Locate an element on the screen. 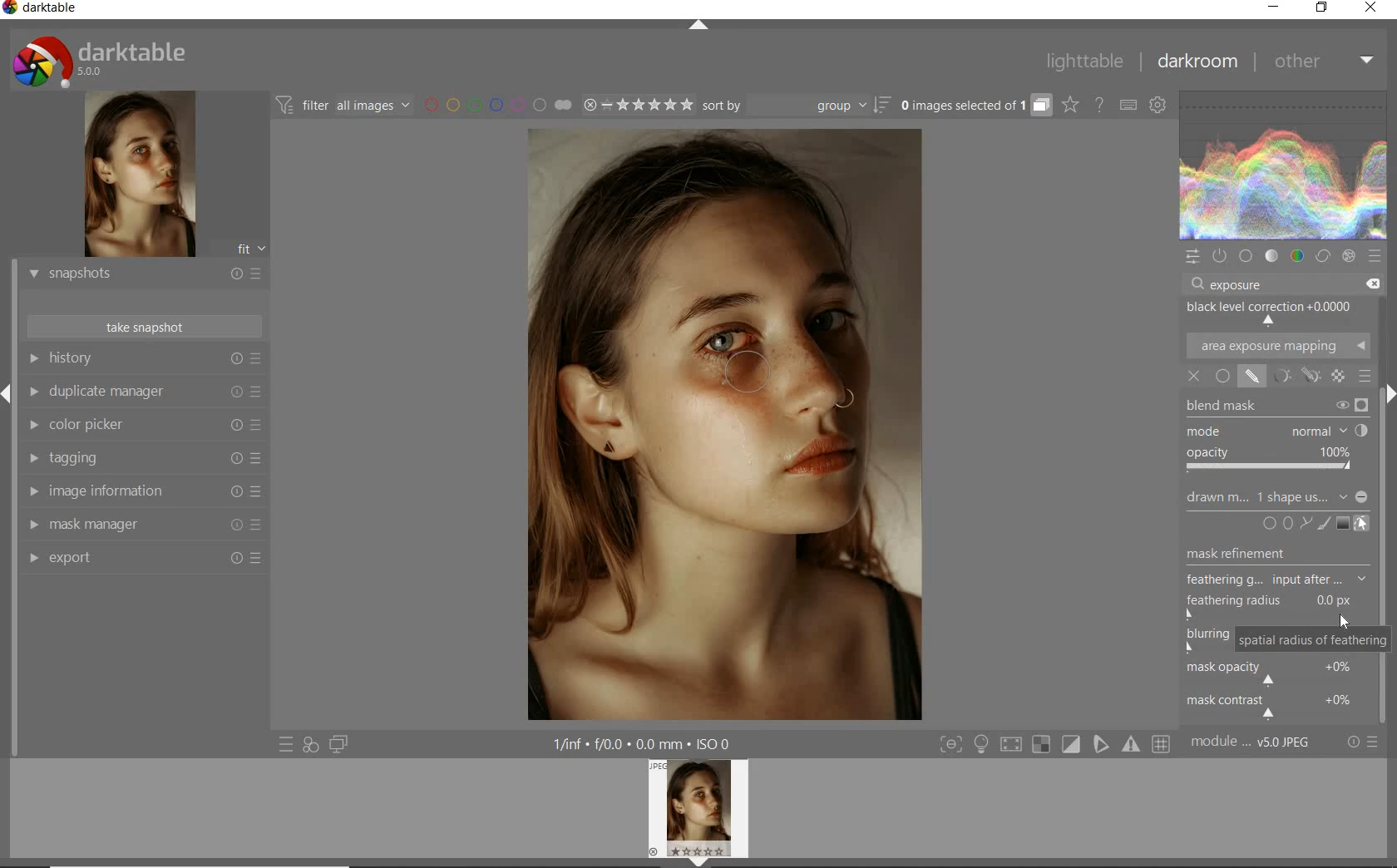 This screenshot has width=1397, height=868. scrollbar is located at coordinates (1382, 452).